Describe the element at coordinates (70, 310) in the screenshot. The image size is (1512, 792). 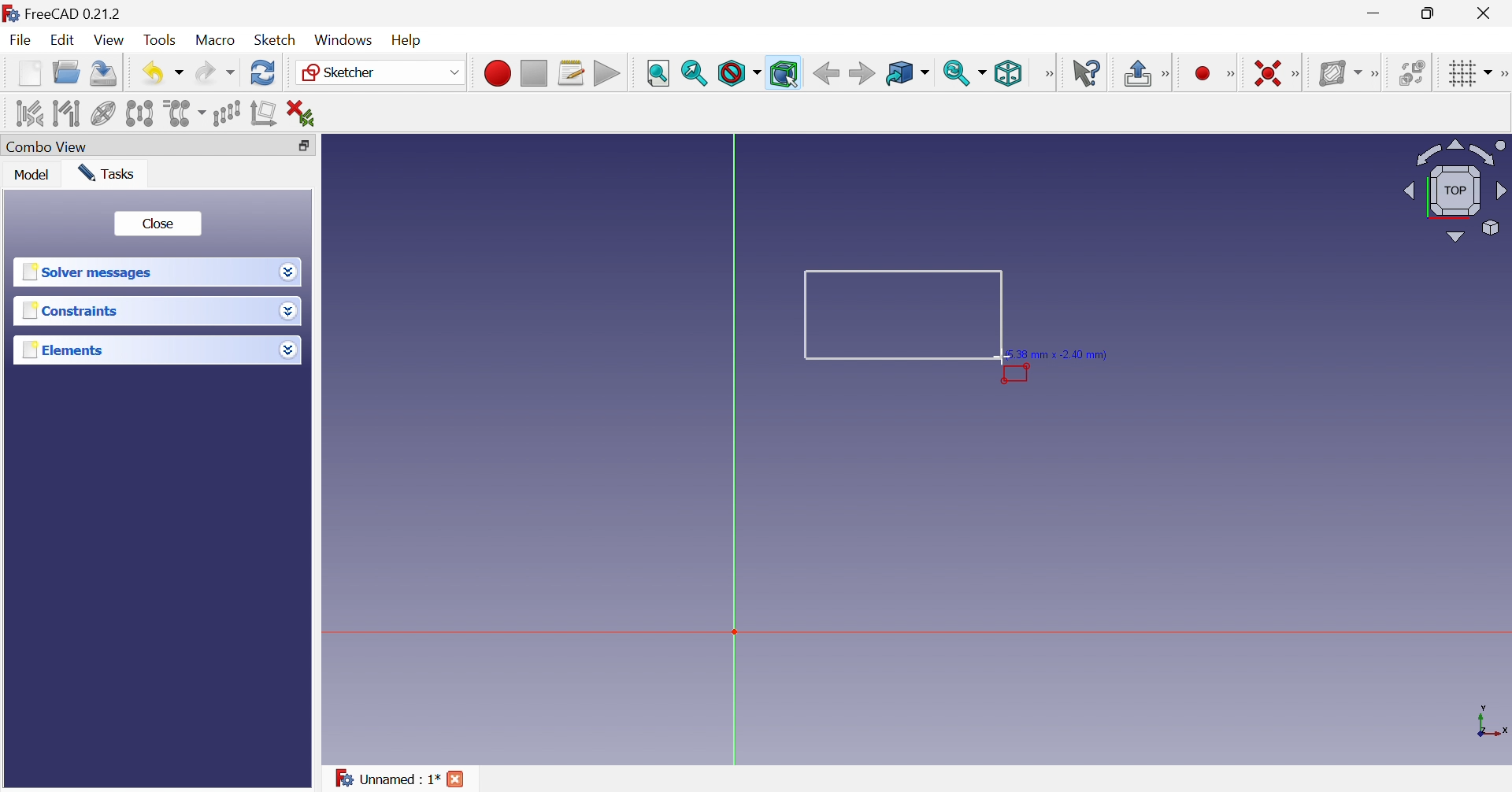
I see `Constraints` at that location.